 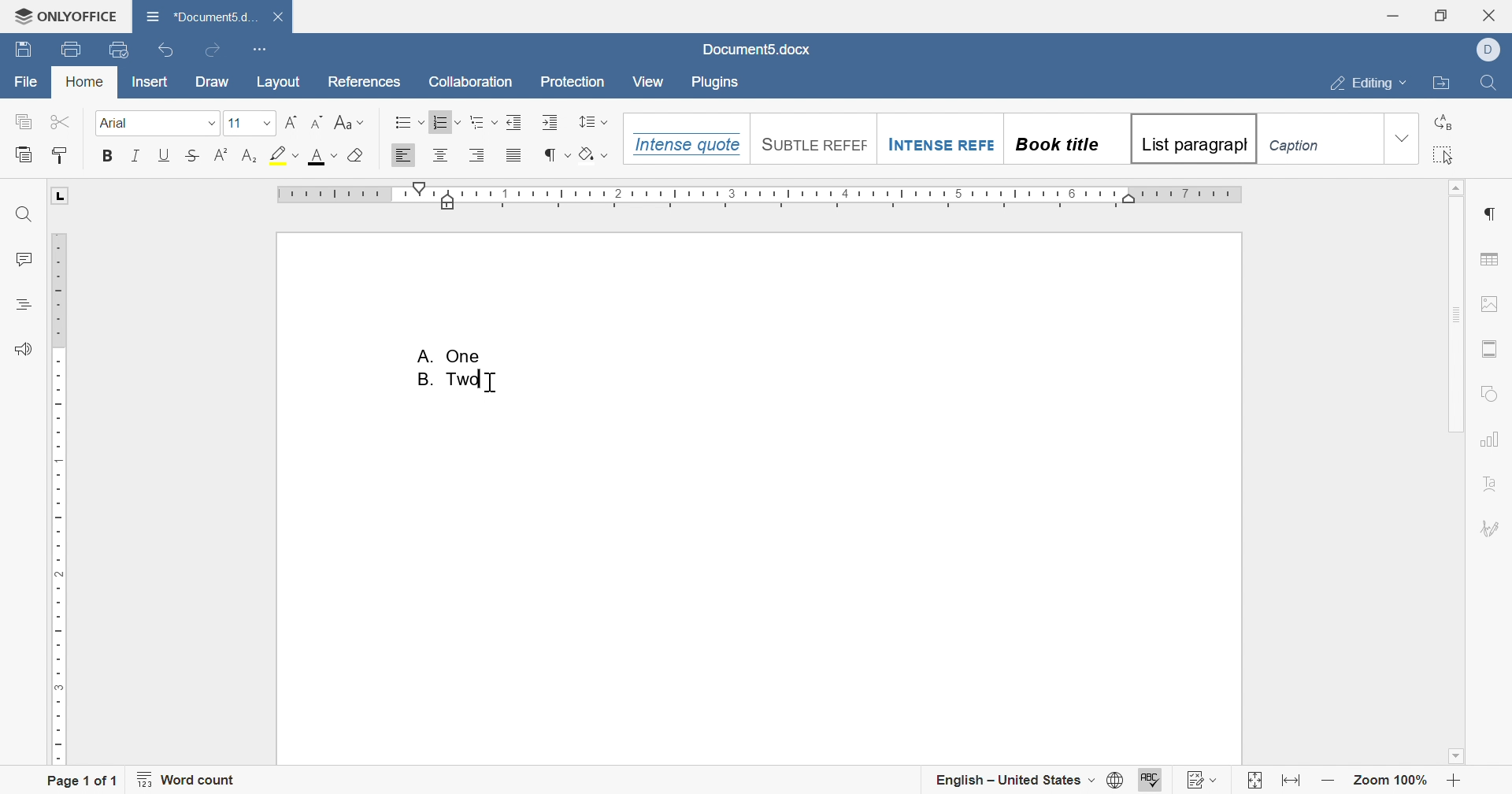 What do you see at coordinates (213, 84) in the screenshot?
I see `draw` at bounding box center [213, 84].